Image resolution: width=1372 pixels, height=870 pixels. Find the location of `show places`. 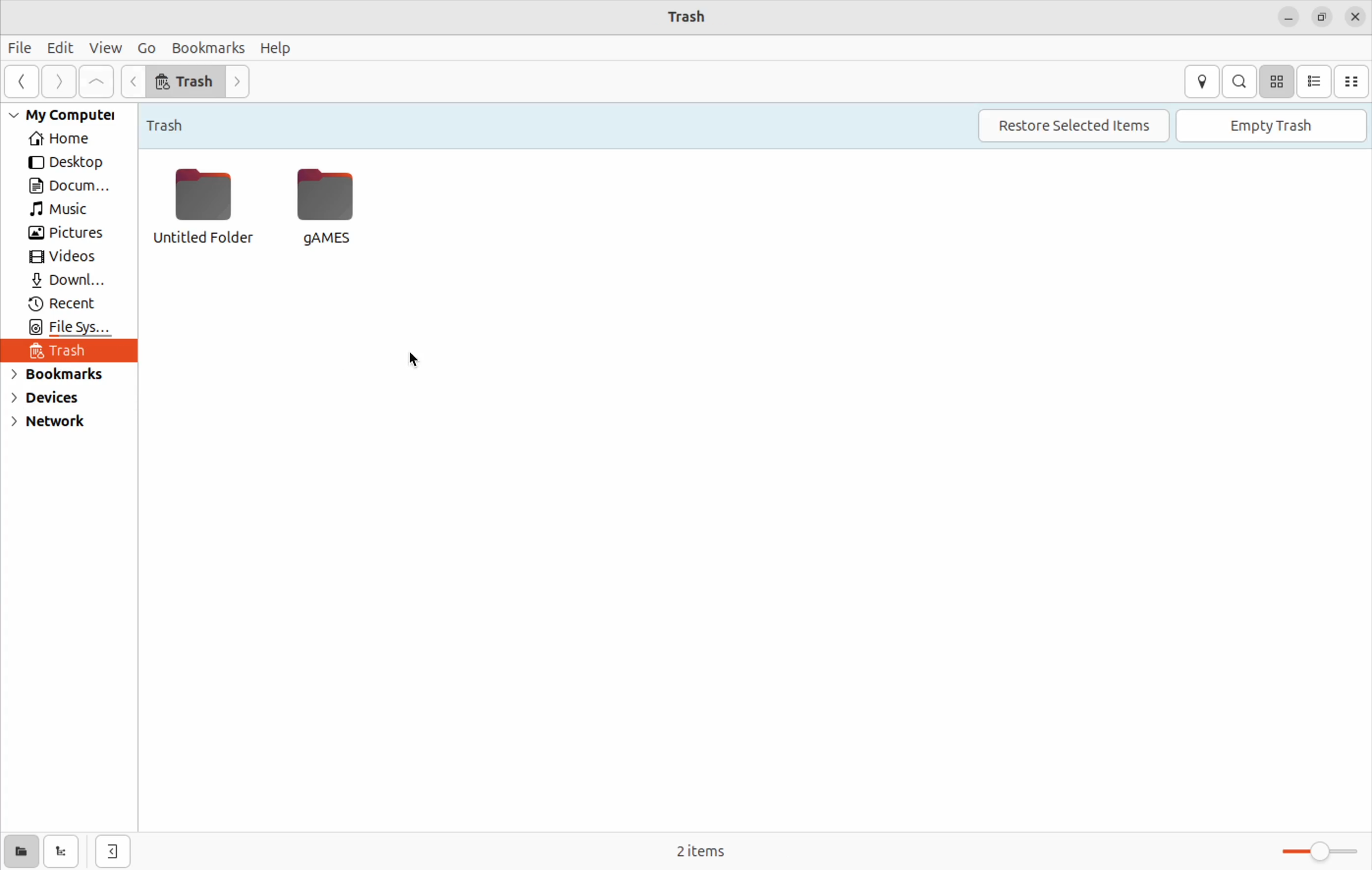

show places is located at coordinates (19, 851).